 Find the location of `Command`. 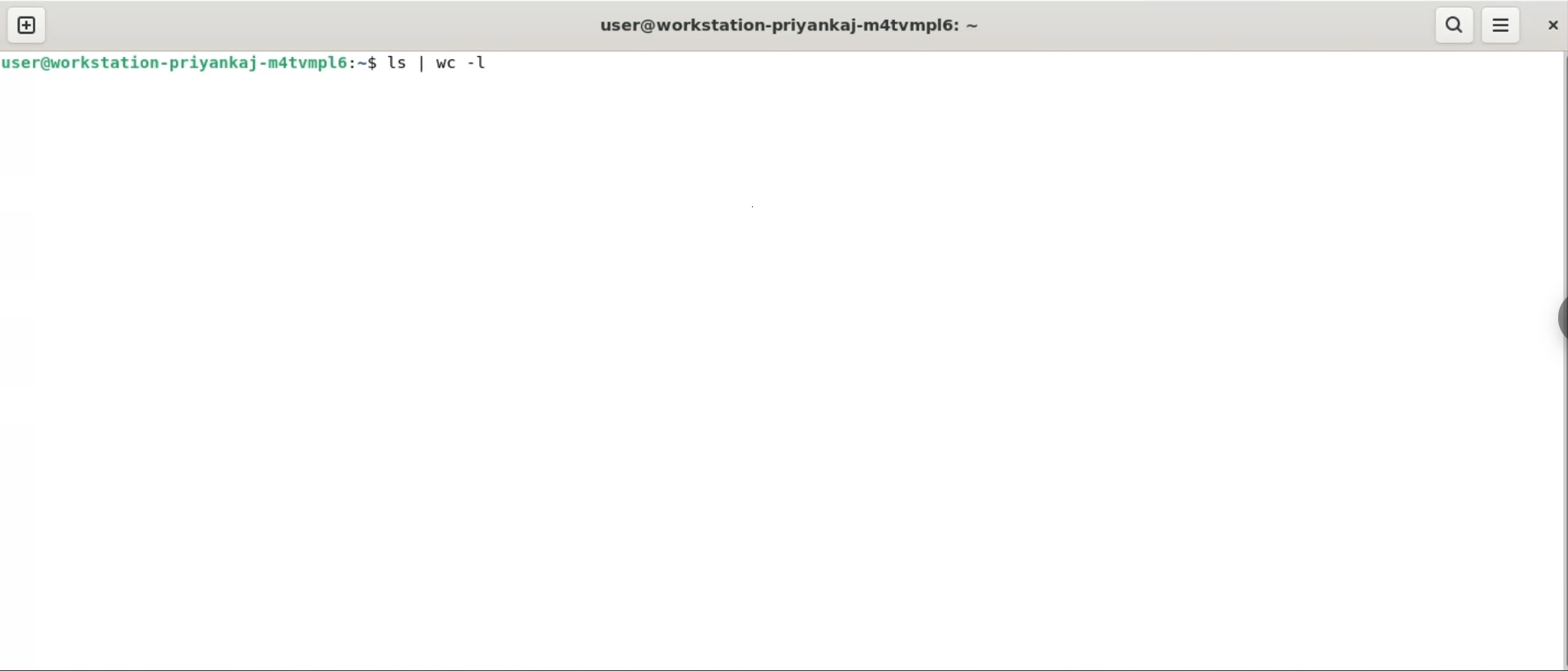

Command is located at coordinates (450, 63).